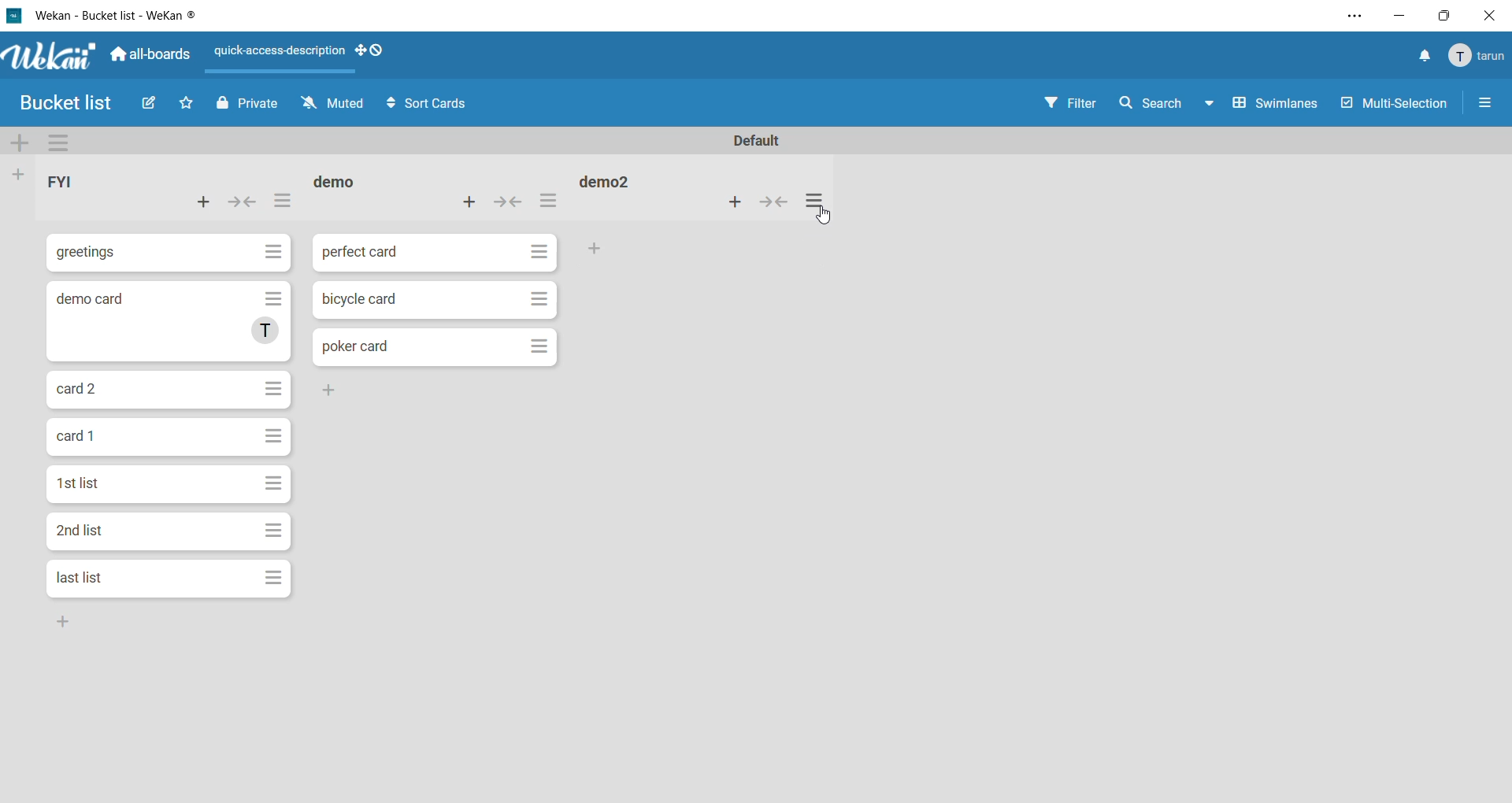  What do you see at coordinates (467, 208) in the screenshot?
I see `add card` at bounding box center [467, 208].